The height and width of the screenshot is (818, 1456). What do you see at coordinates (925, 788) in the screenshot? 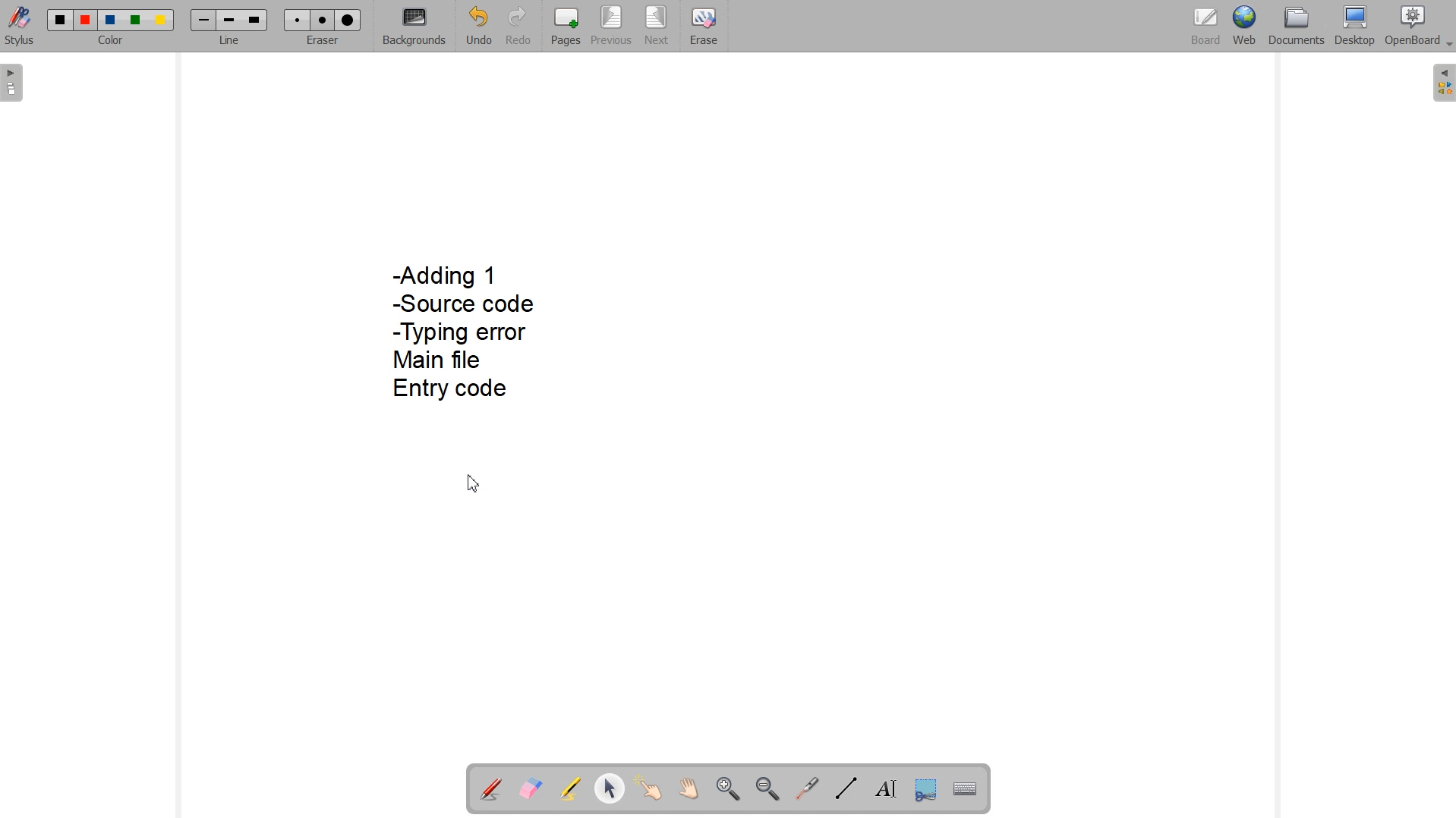
I see `Capture part of the screen` at bounding box center [925, 788].